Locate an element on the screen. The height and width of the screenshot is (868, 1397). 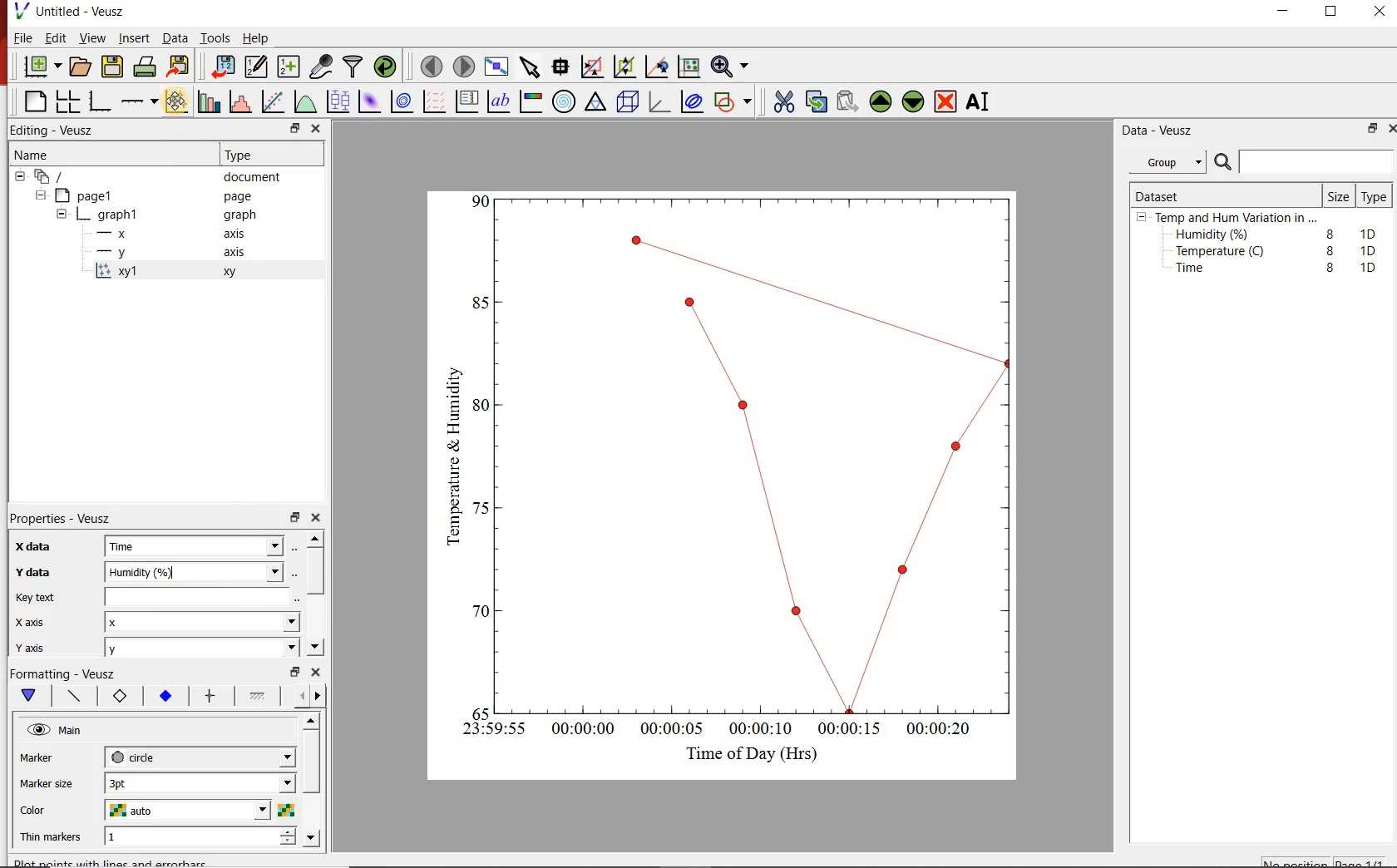
copy the selected widget is located at coordinates (816, 101).